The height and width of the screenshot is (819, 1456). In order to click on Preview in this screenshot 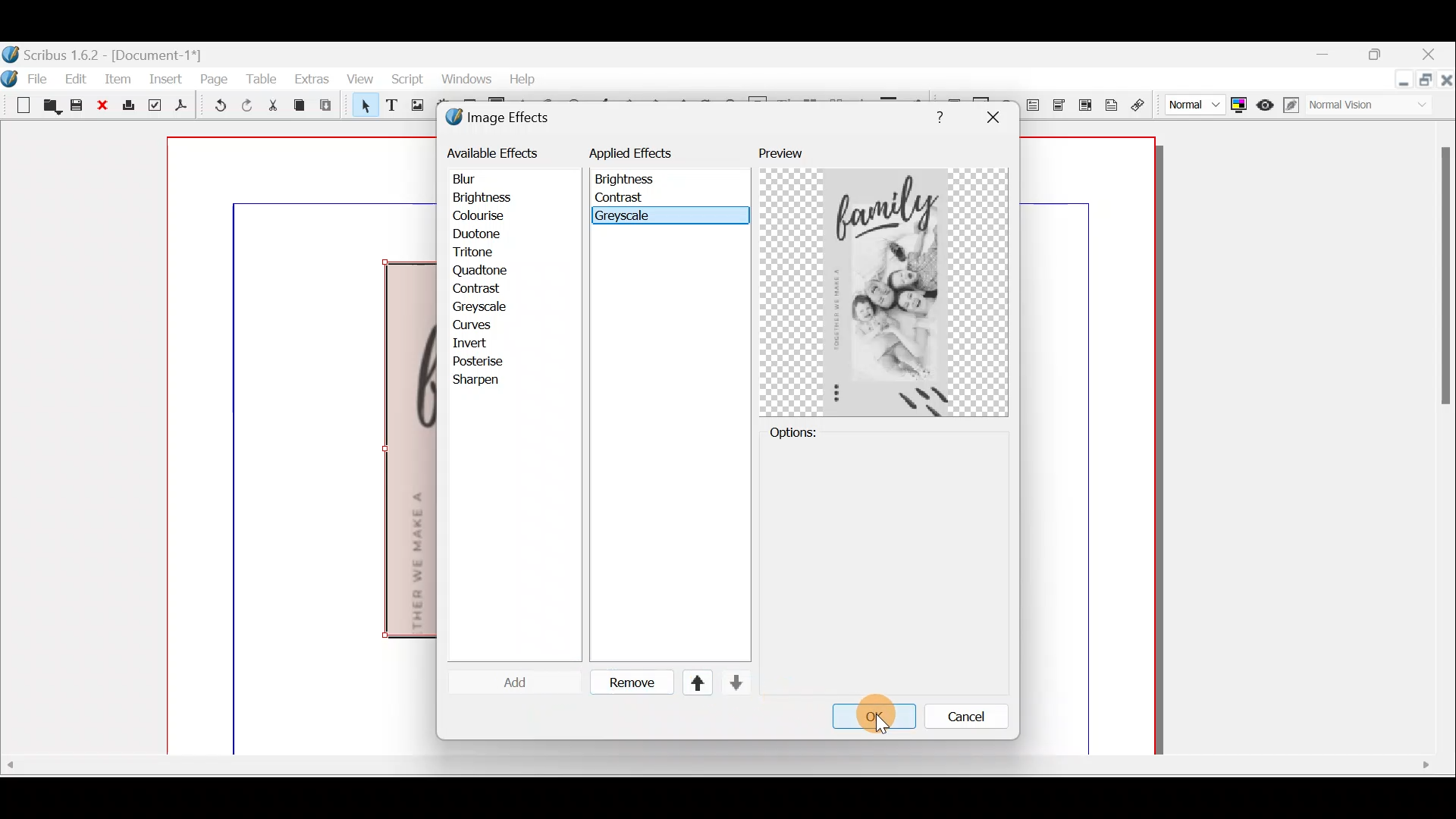, I will do `click(886, 290)`.